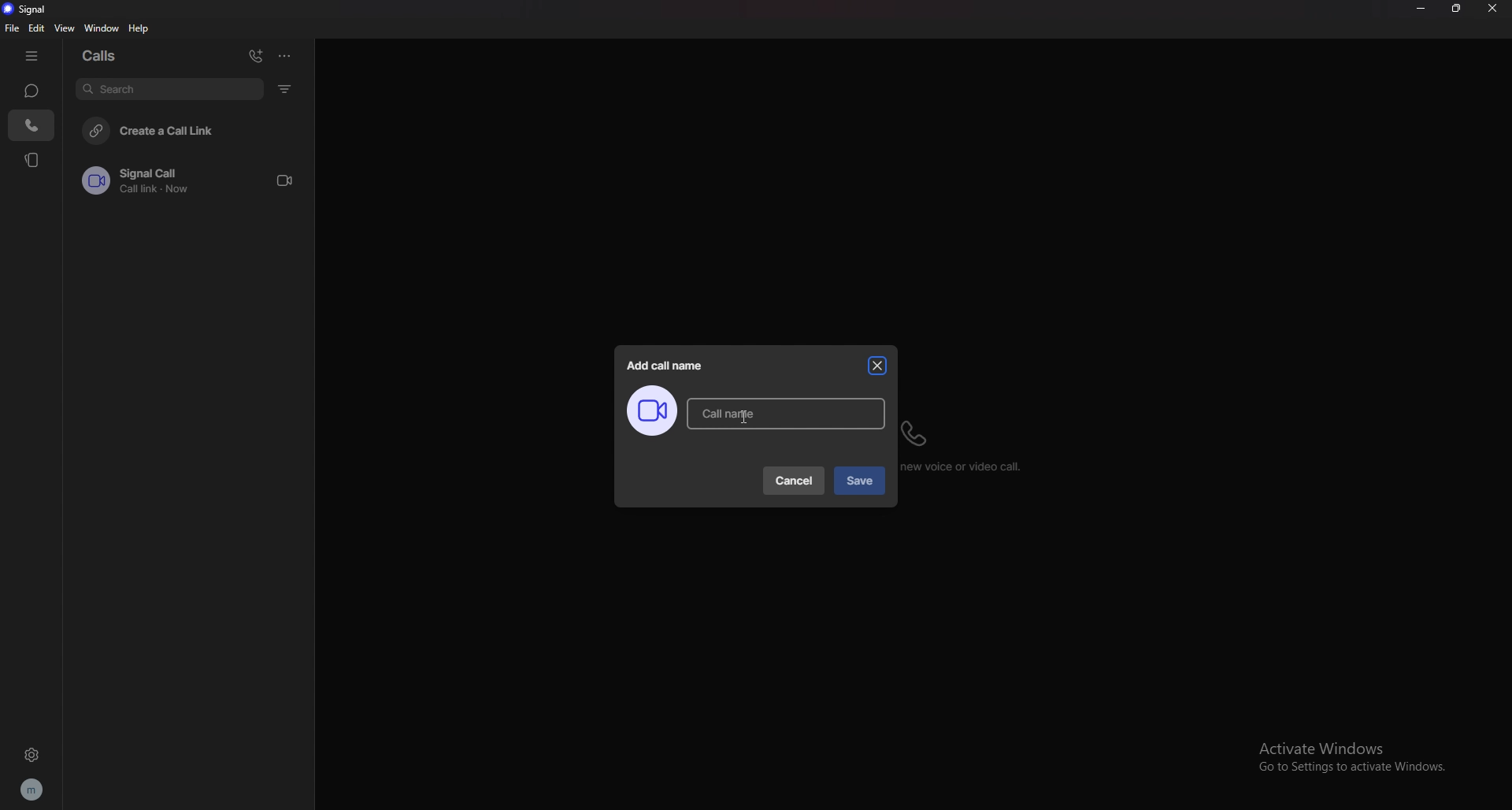 Image resolution: width=1512 pixels, height=810 pixels. I want to click on signal, so click(30, 9).